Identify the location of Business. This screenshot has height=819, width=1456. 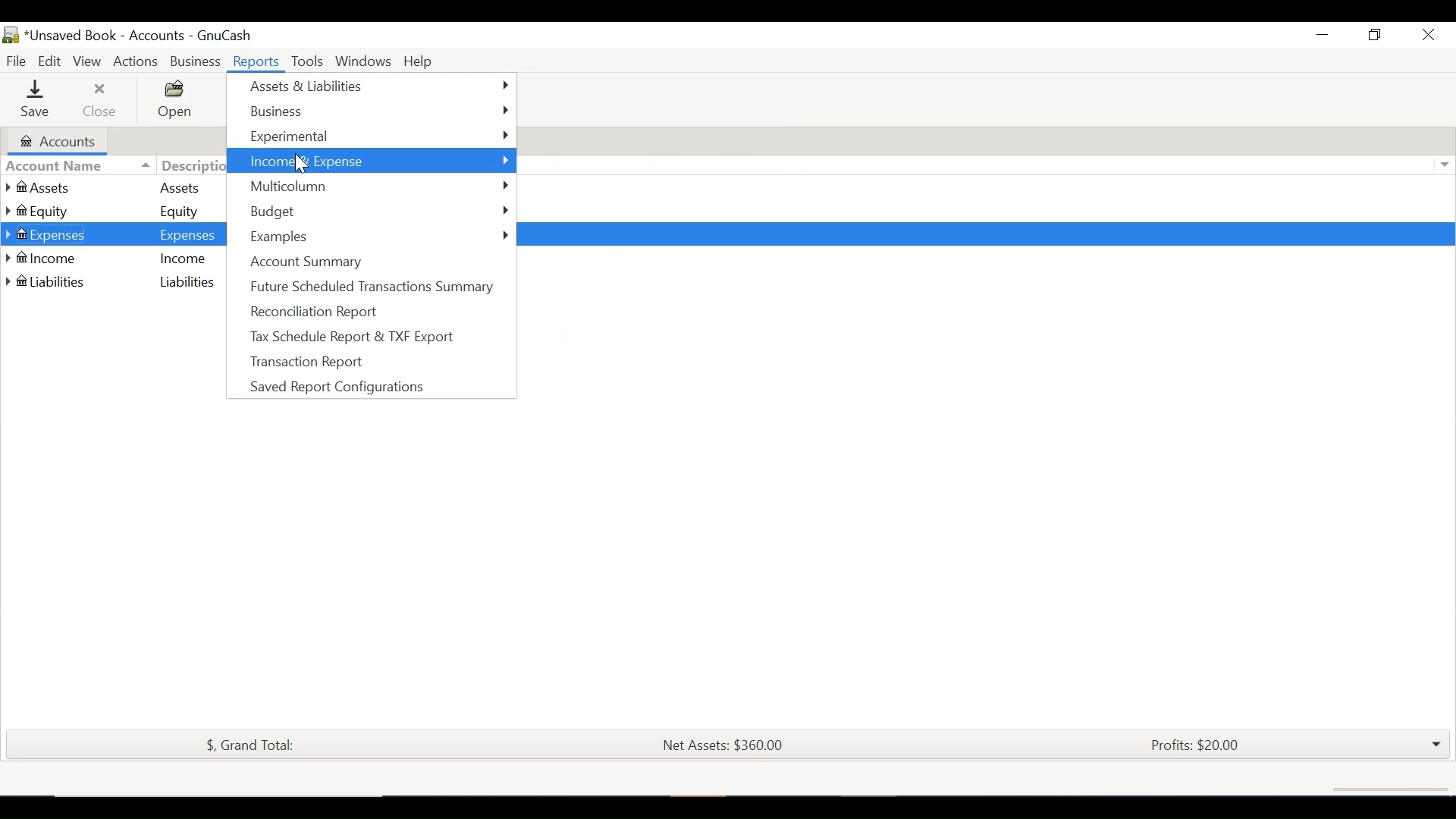
(196, 58).